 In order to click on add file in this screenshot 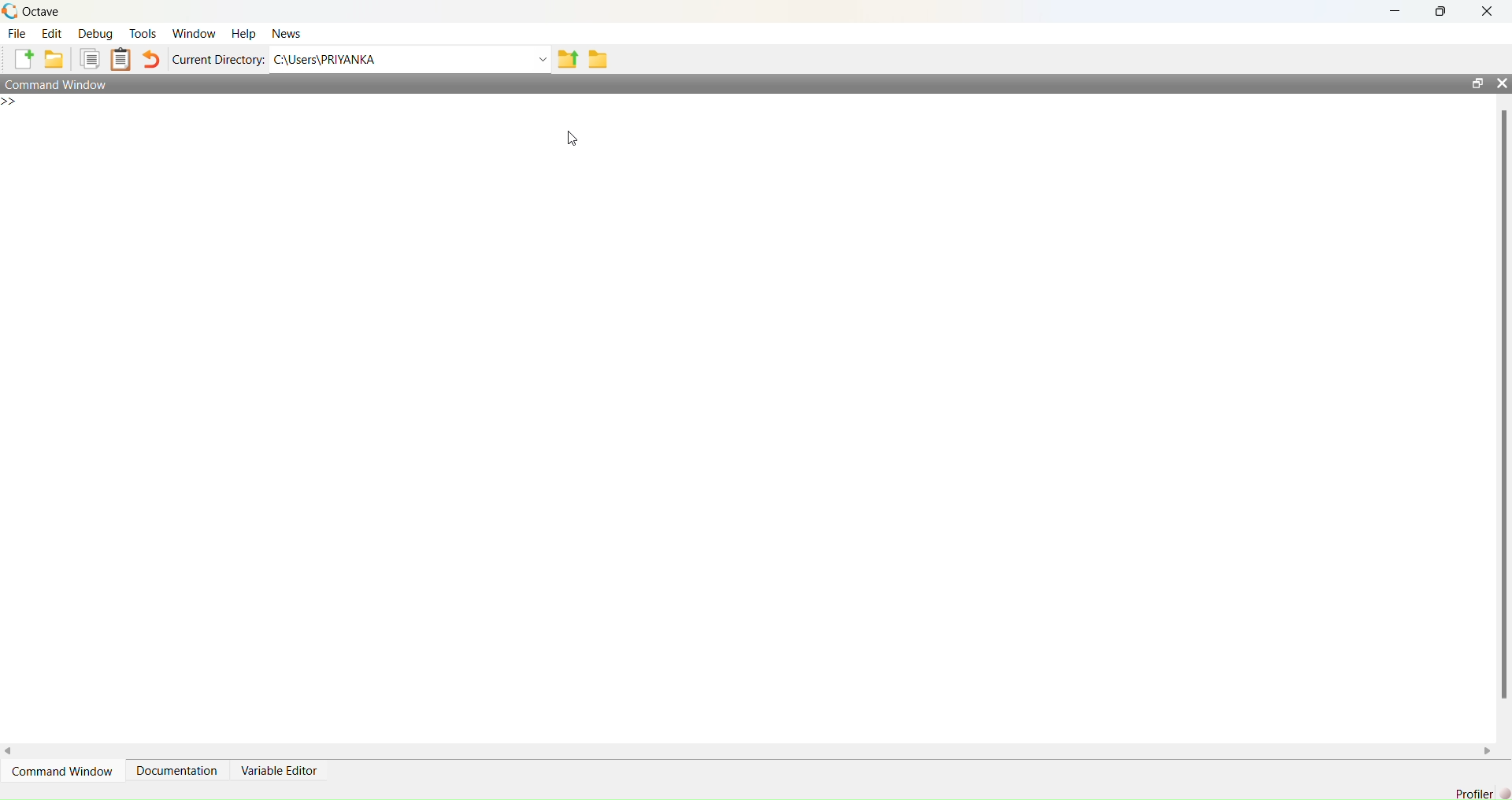, I will do `click(24, 59)`.